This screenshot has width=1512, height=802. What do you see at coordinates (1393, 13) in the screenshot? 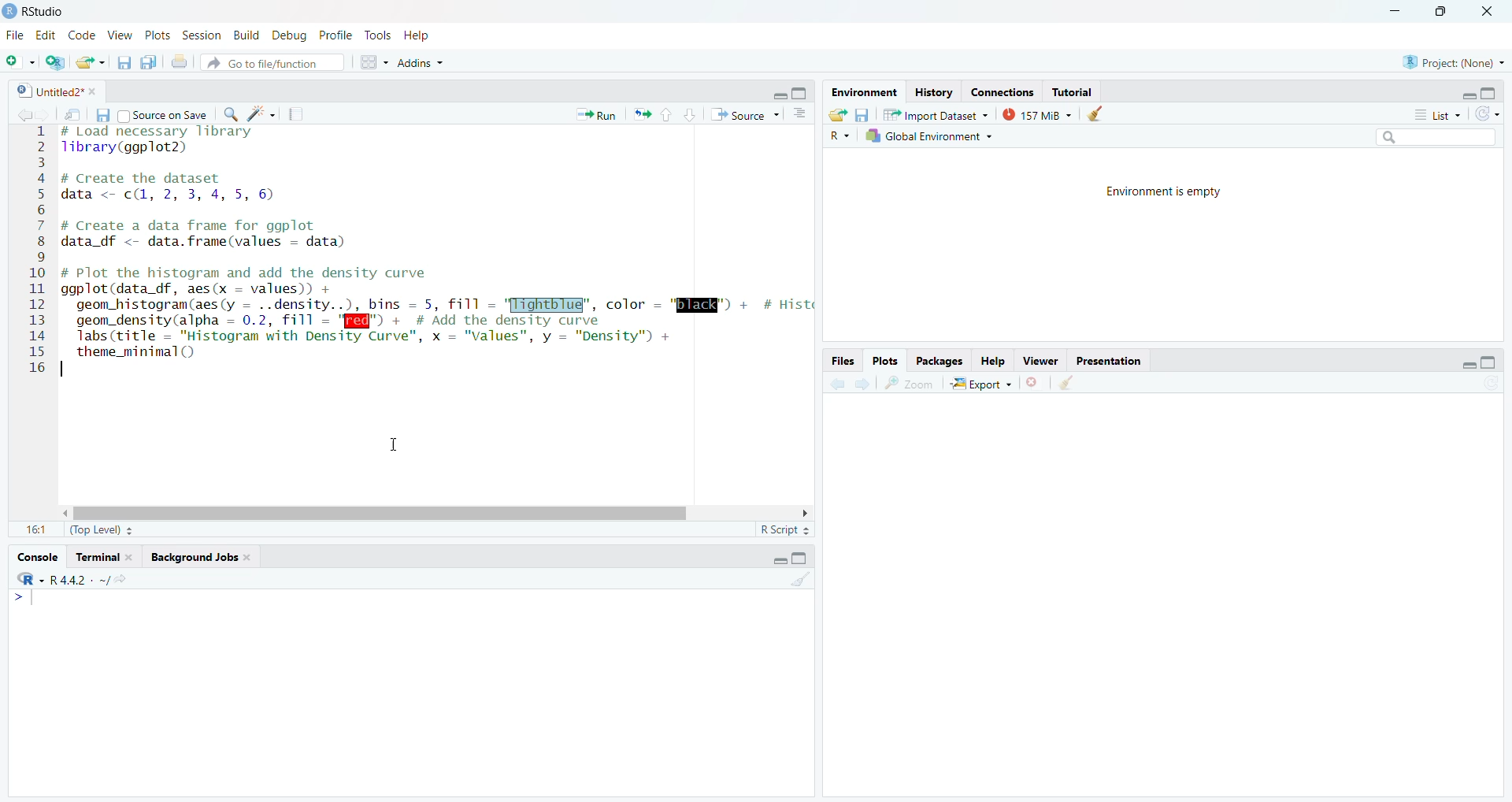
I see `minimize` at bounding box center [1393, 13].